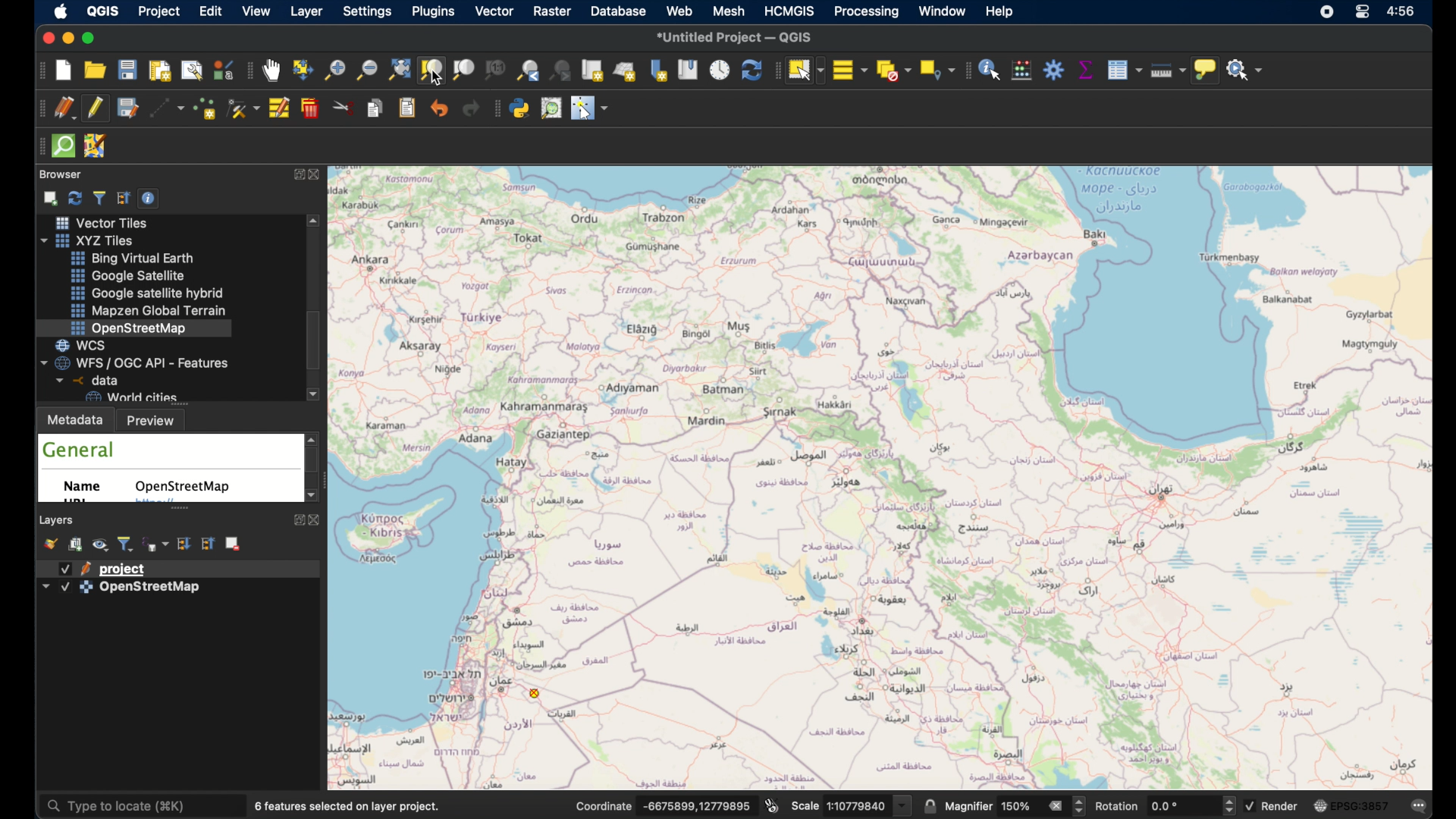 The width and height of the screenshot is (1456, 819). Describe the element at coordinates (74, 196) in the screenshot. I see `refresh` at that location.